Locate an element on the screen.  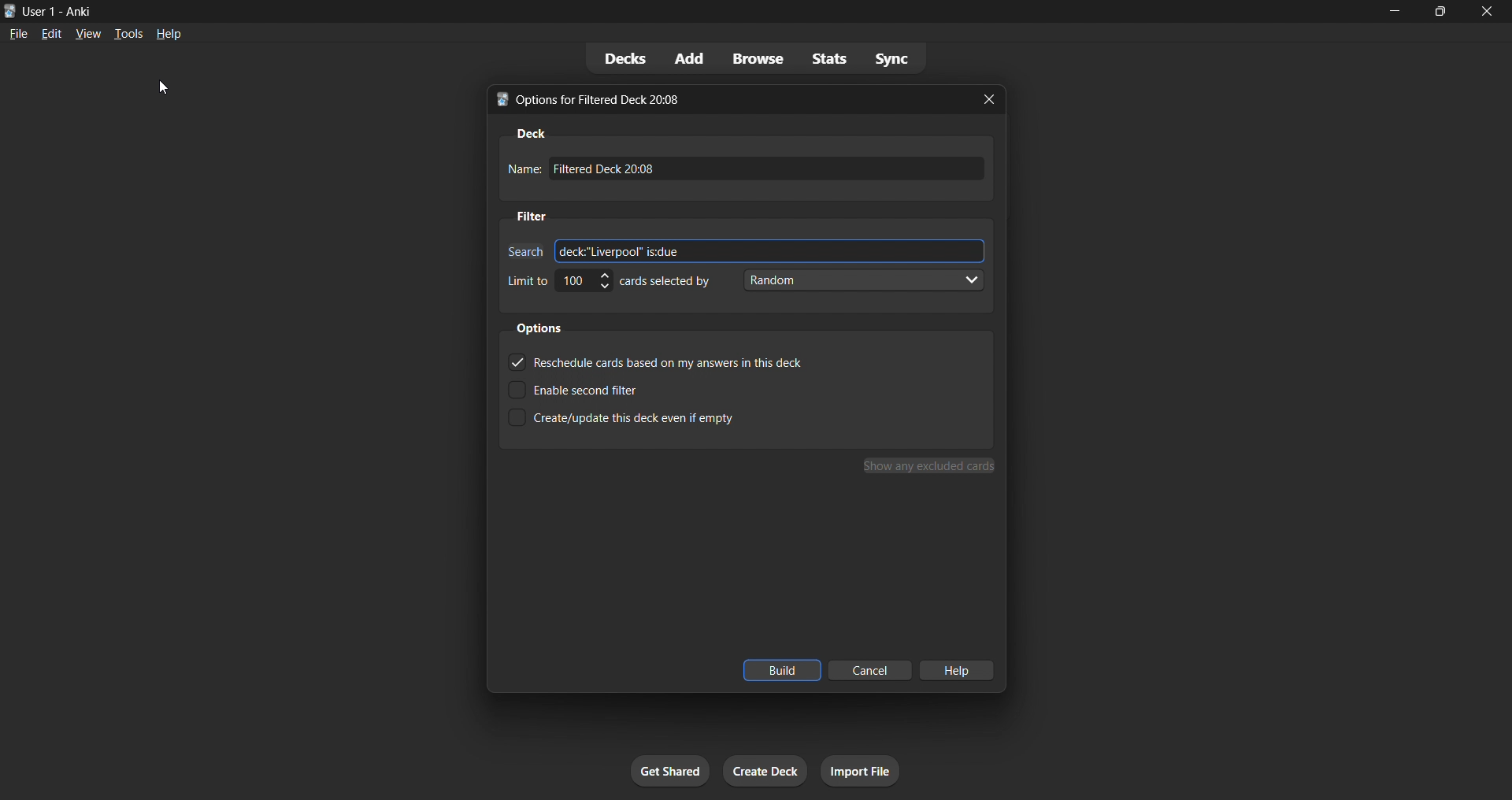
import file is located at coordinates (861, 770).